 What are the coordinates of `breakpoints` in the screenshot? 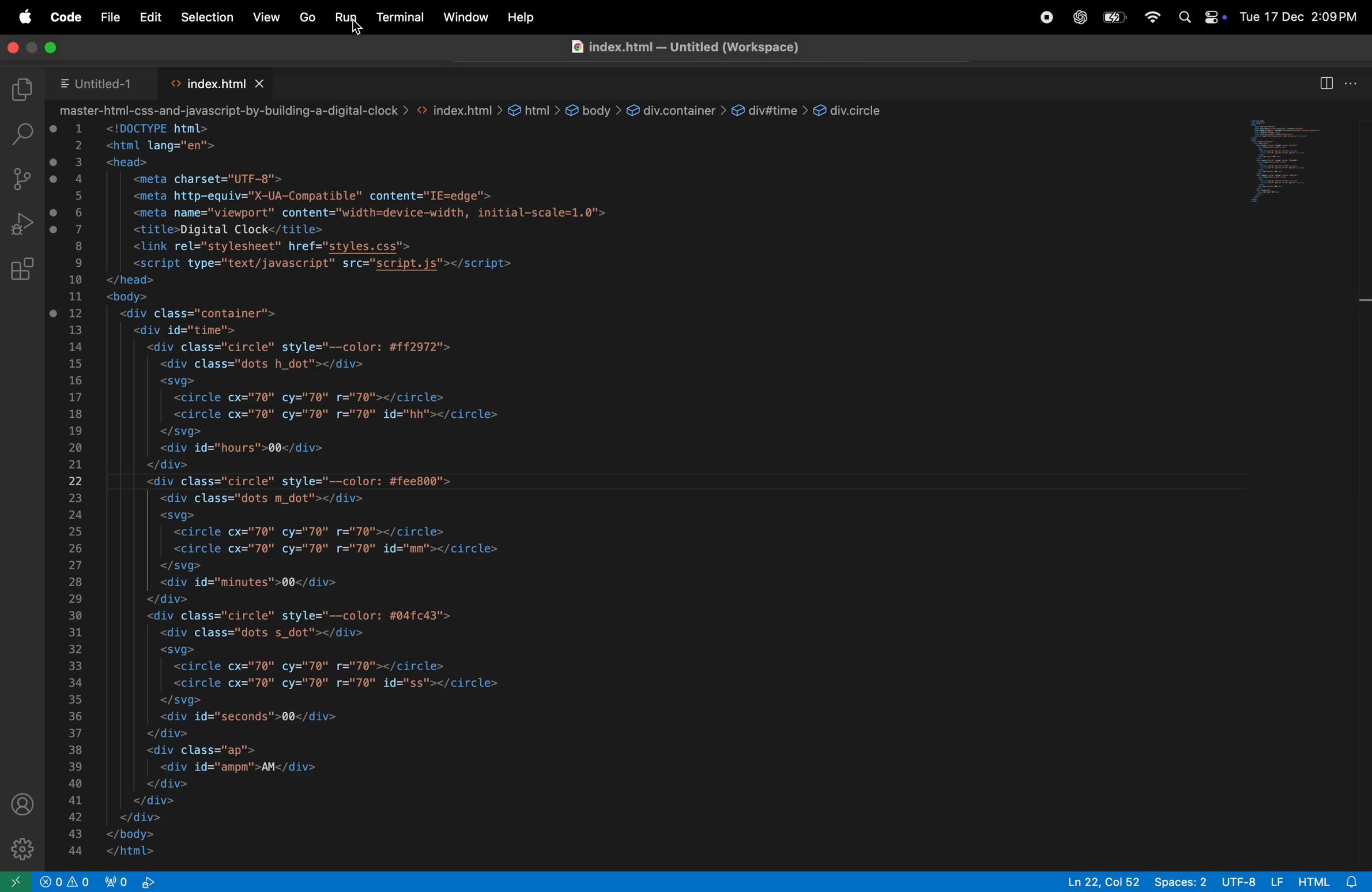 It's located at (54, 222).